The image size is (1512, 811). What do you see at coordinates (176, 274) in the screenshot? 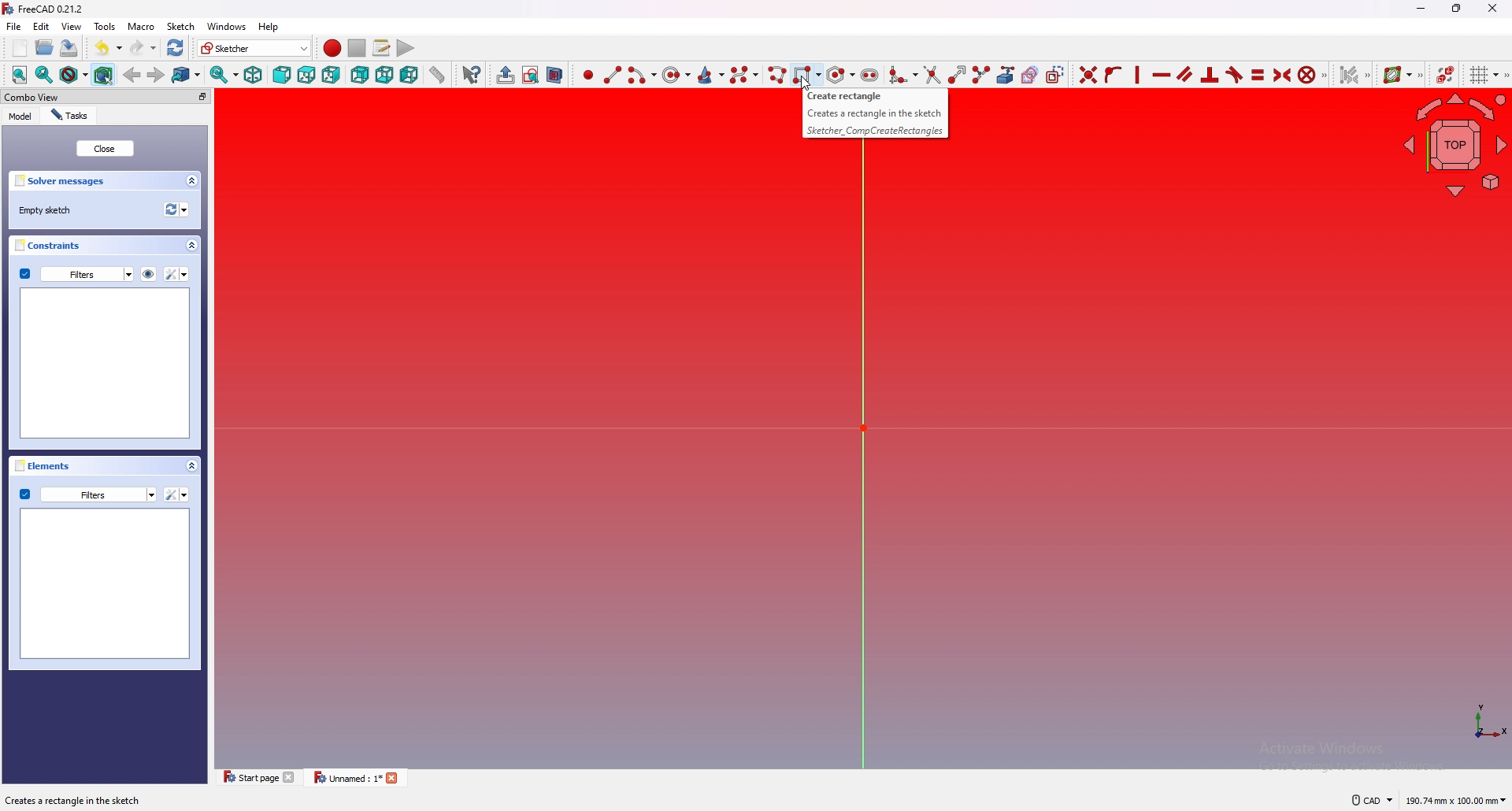
I see `settings` at bounding box center [176, 274].